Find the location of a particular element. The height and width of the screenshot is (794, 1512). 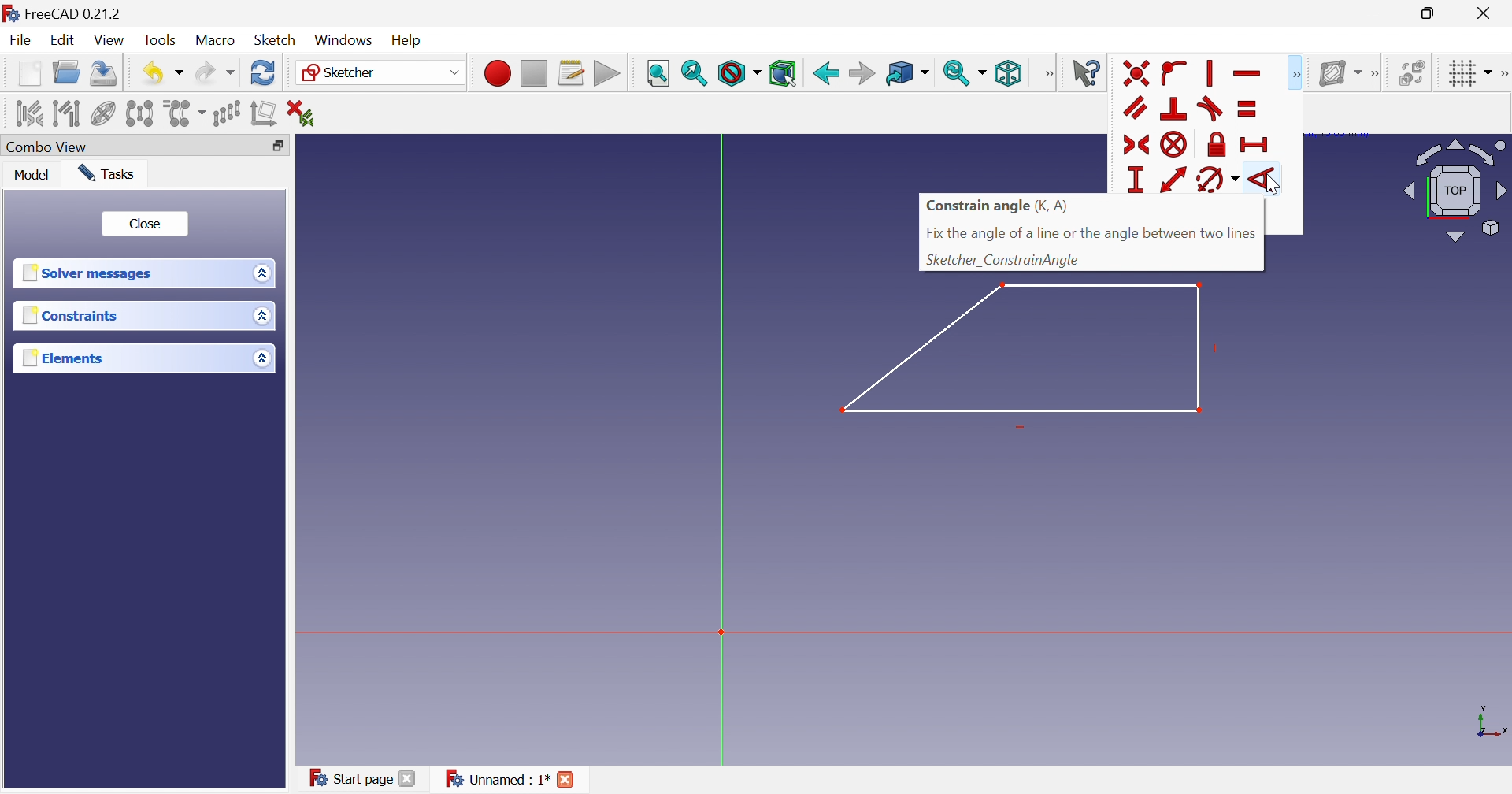

Constraint equal is located at coordinates (1248, 109).